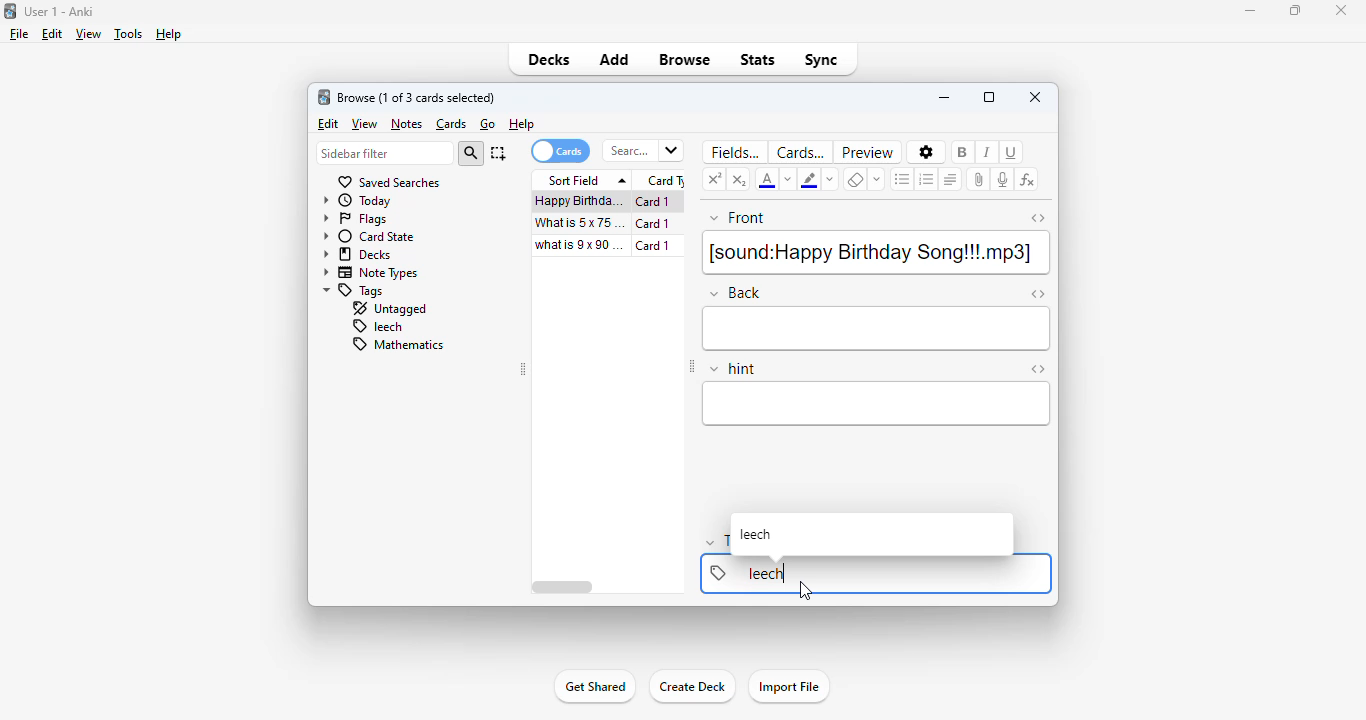  I want to click on text highlighting color, so click(809, 179).